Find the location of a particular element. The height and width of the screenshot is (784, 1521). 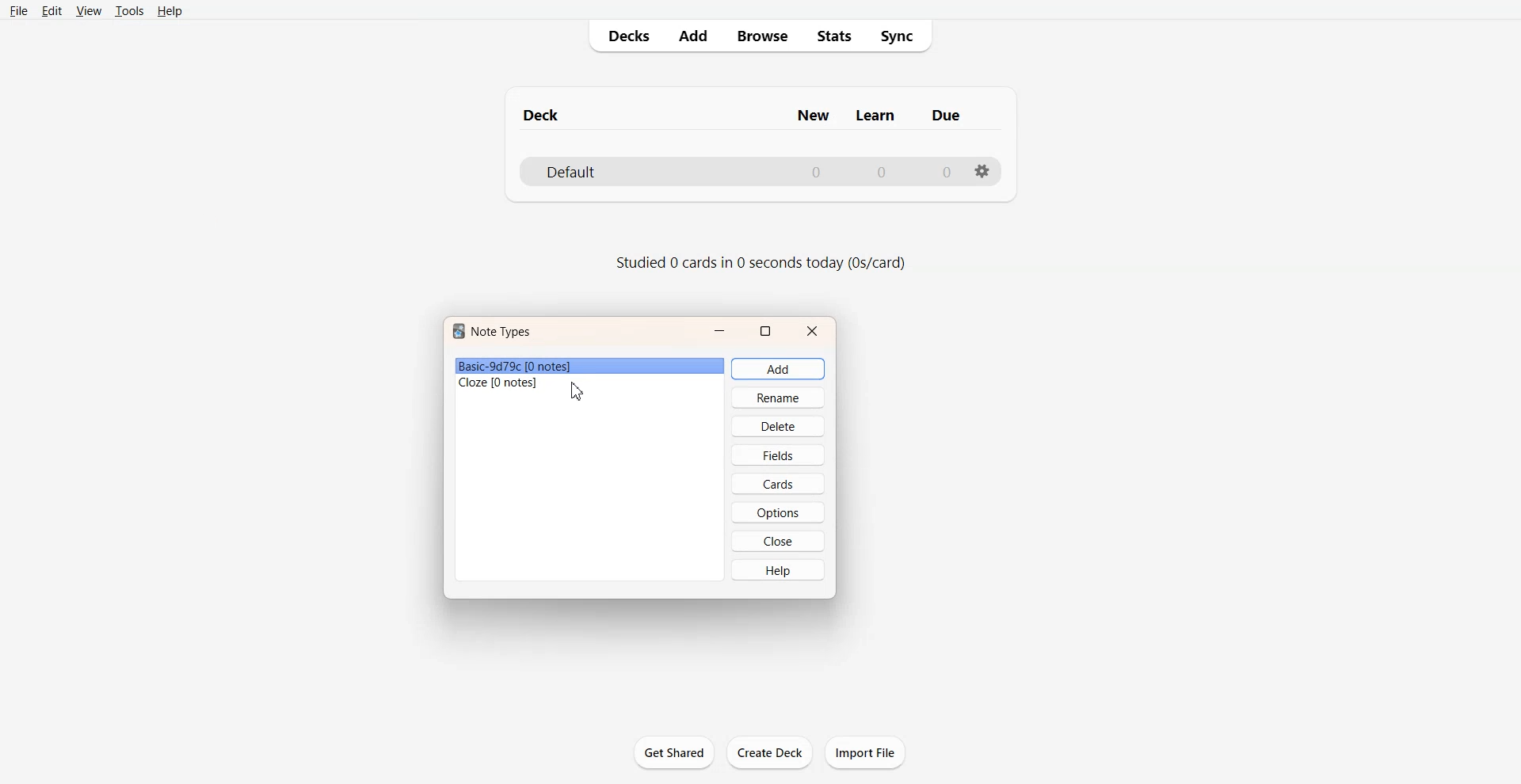

View is located at coordinates (88, 10).